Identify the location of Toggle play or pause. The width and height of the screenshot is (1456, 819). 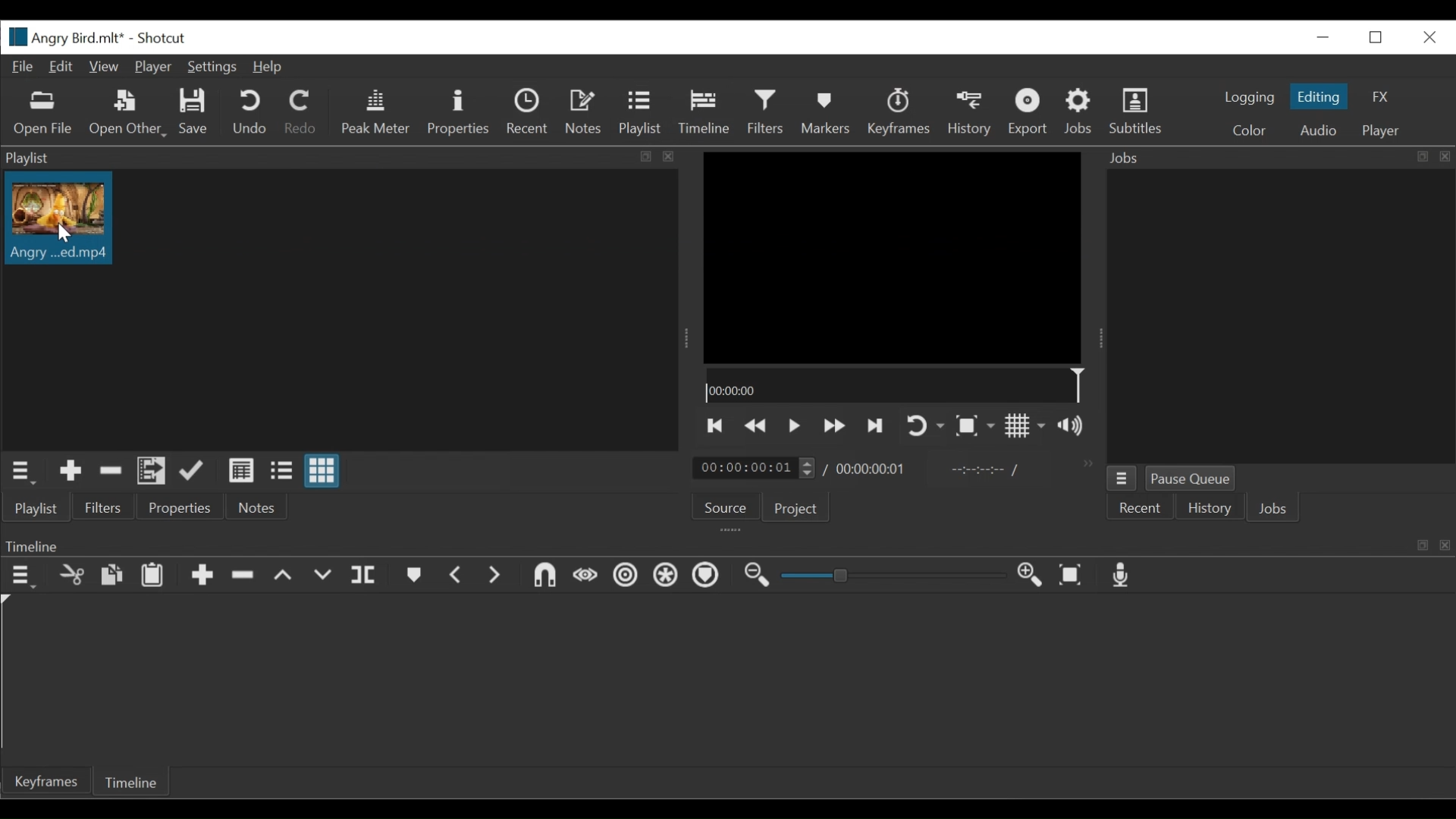
(795, 428).